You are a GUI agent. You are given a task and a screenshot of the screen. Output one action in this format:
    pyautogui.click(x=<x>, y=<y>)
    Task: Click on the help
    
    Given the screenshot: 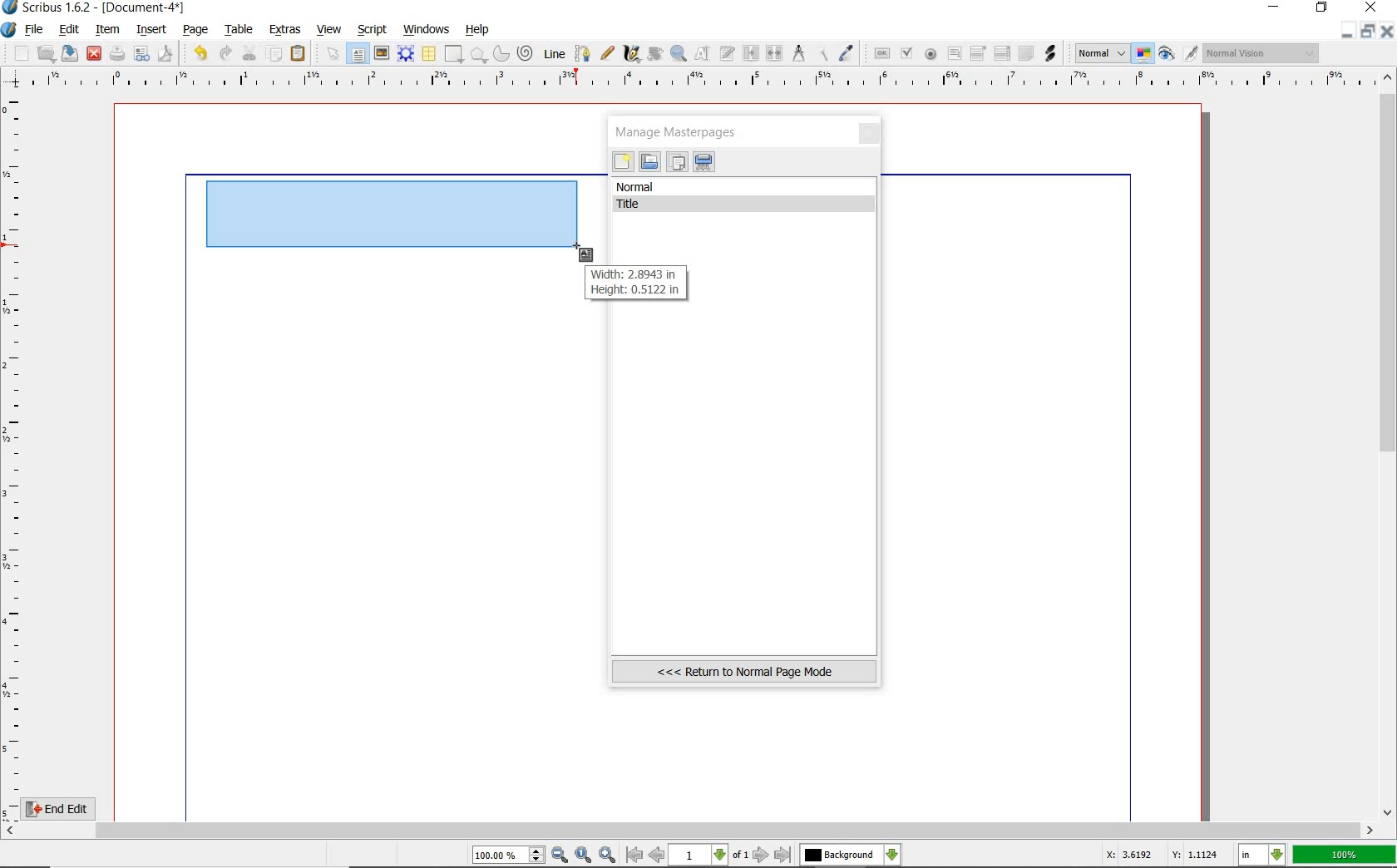 What is the action you would take?
    pyautogui.click(x=478, y=30)
    